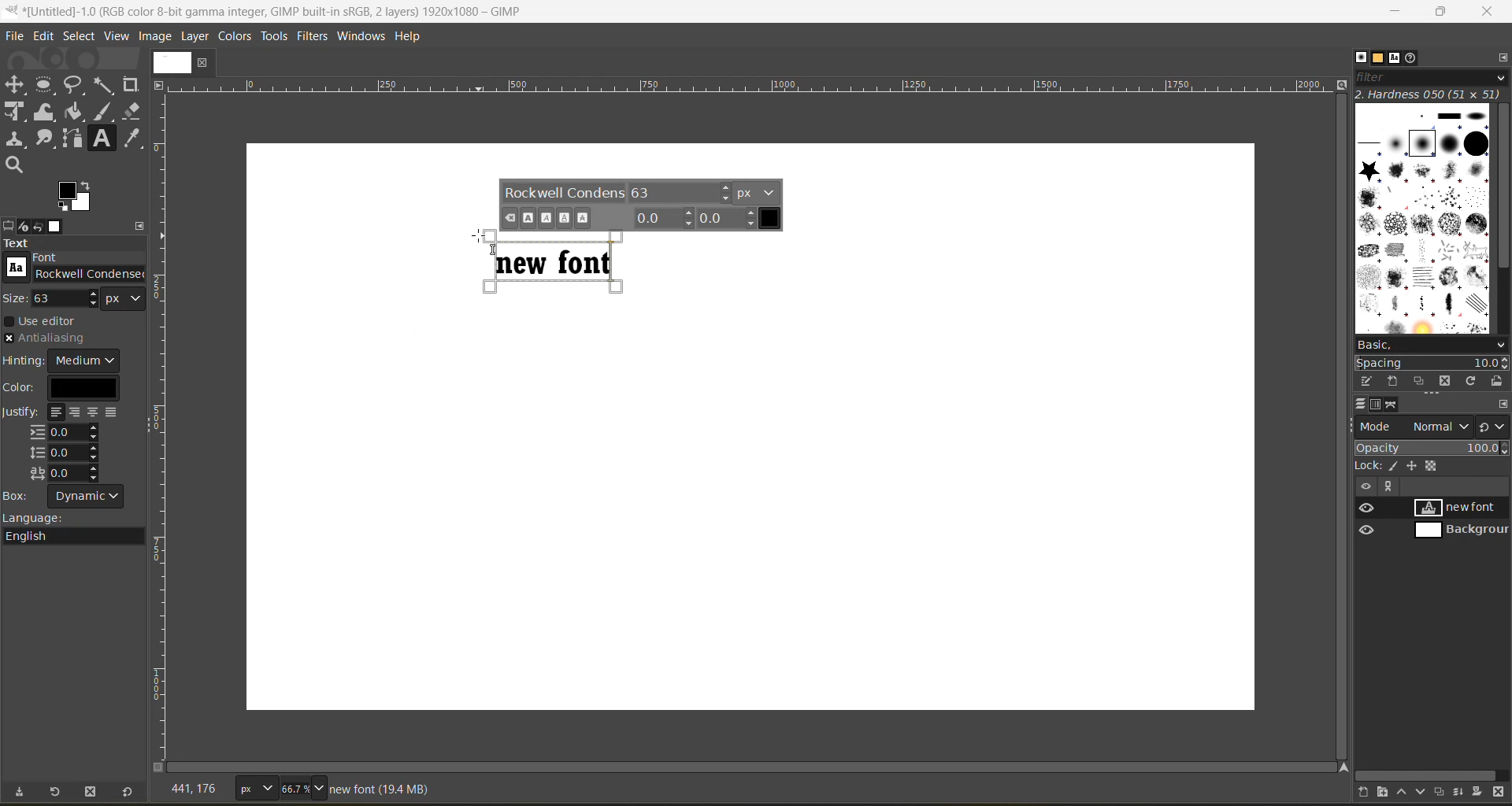 The width and height of the screenshot is (1512, 806). Describe the element at coordinates (38, 227) in the screenshot. I see `undo history` at that location.